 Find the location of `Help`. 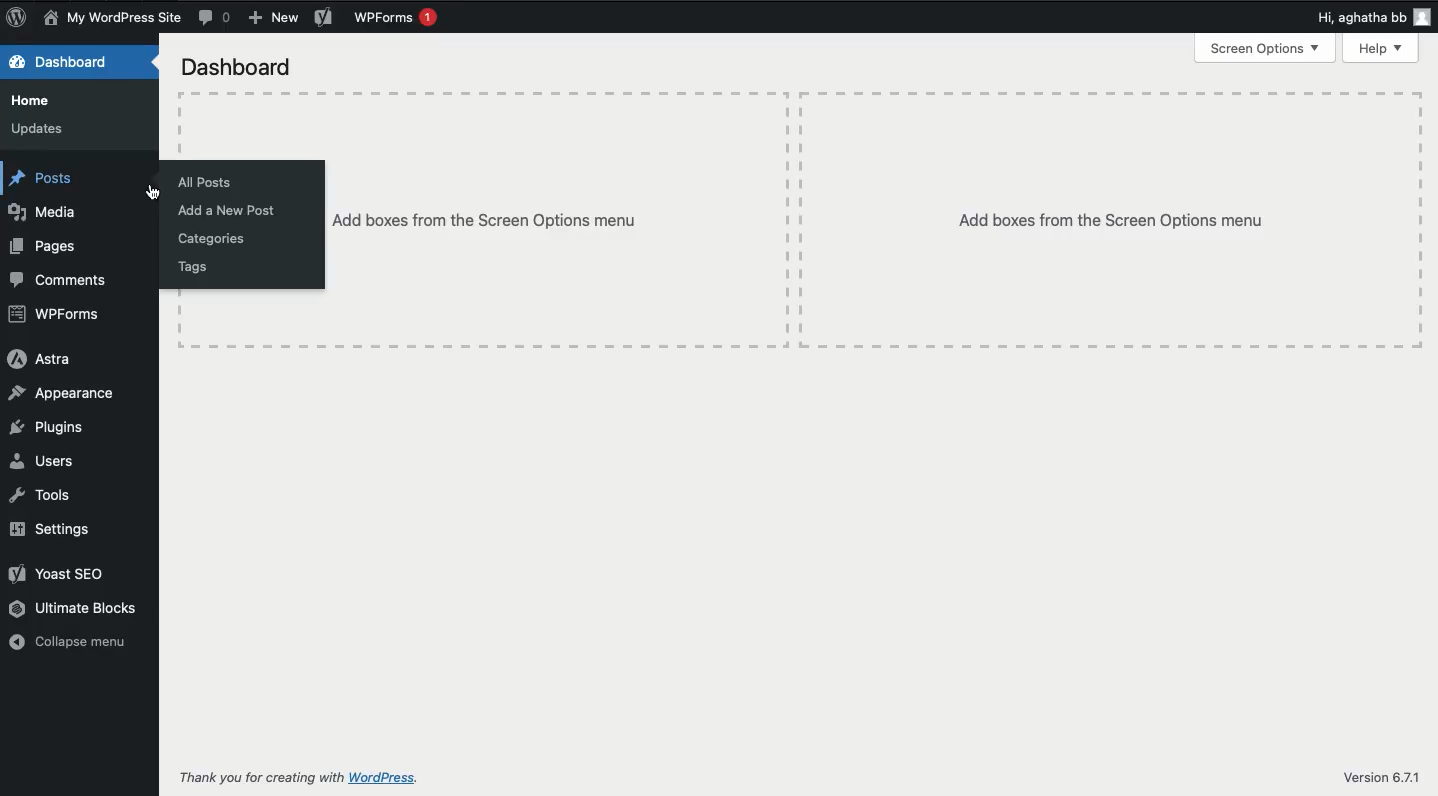

Help is located at coordinates (1382, 48).